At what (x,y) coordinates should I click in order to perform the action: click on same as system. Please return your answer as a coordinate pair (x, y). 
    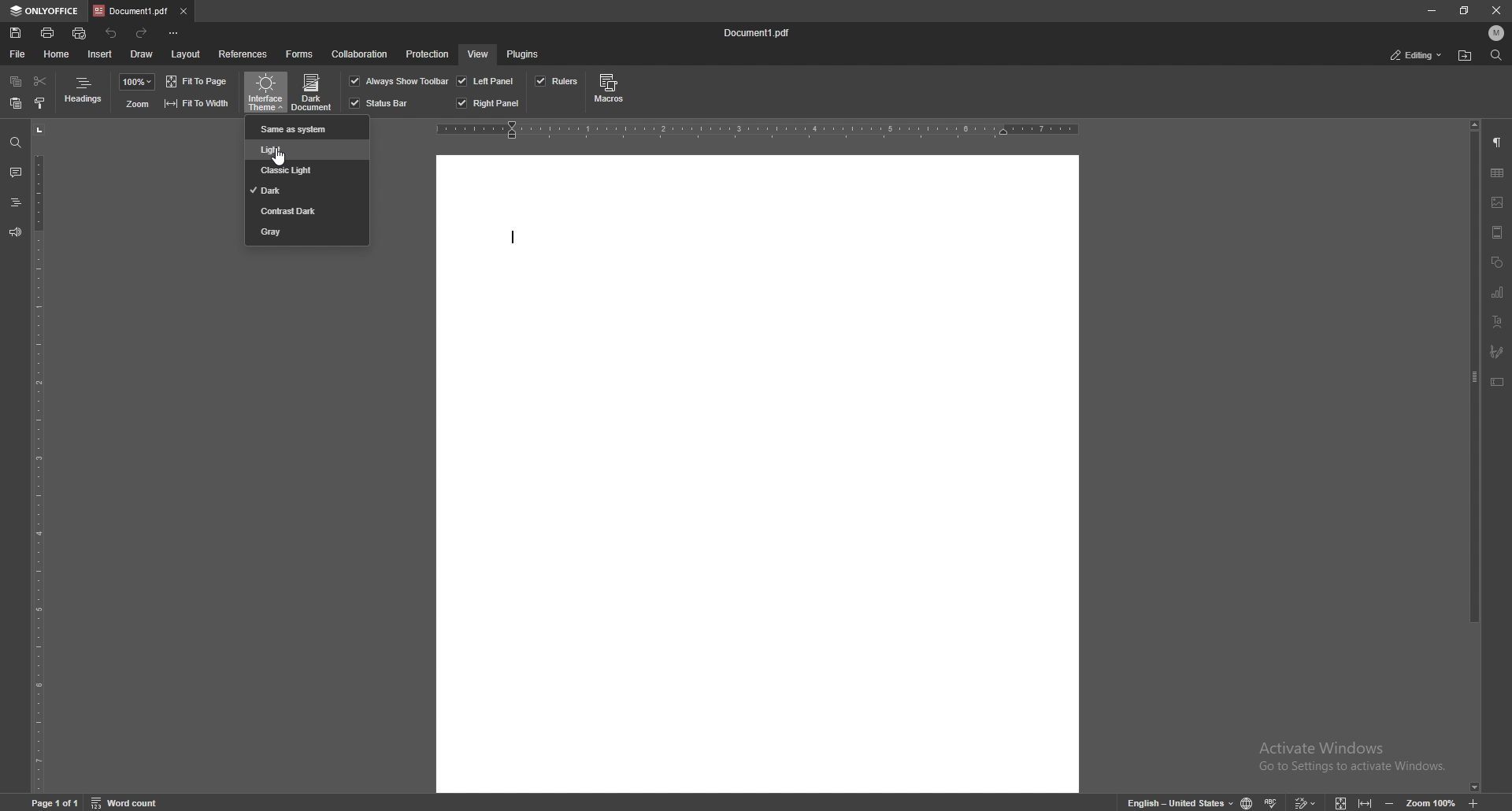
    Looking at the image, I should click on (304, 128).